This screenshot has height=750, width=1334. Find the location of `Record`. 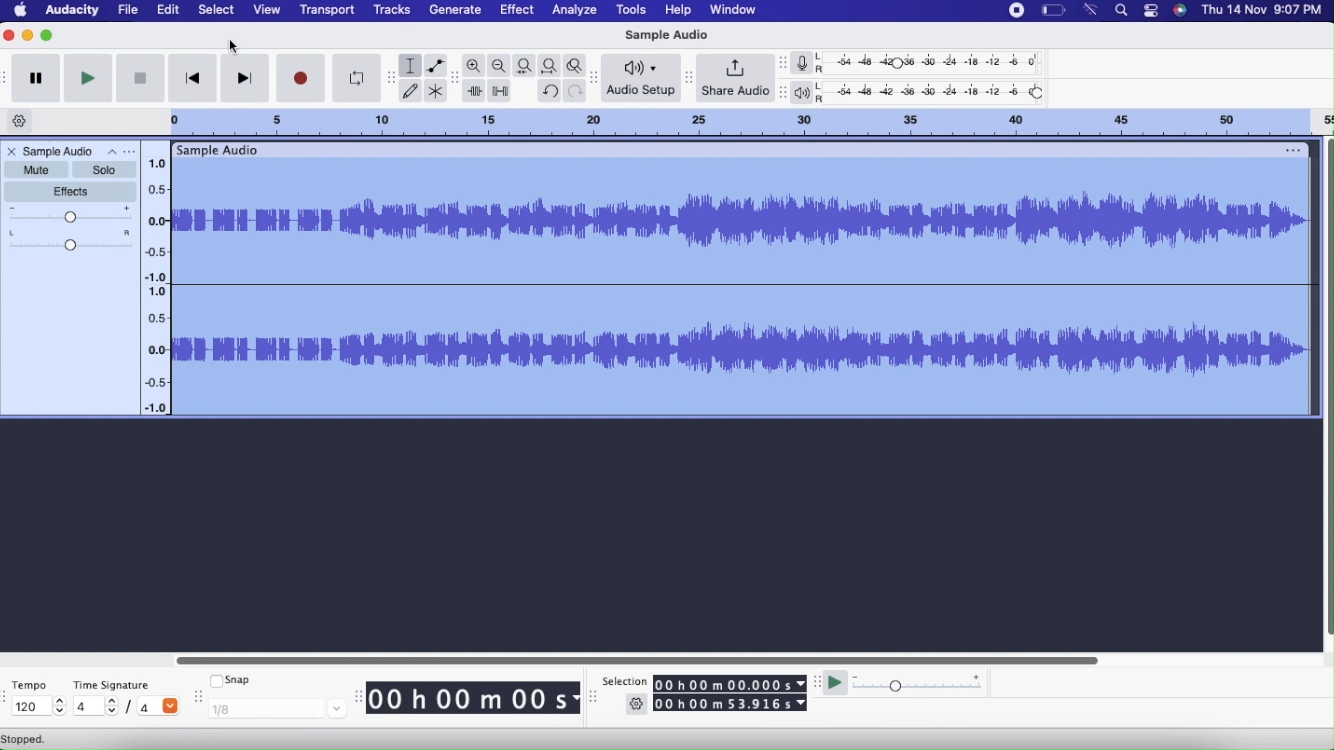

Record is located at coordinates (302, 80).